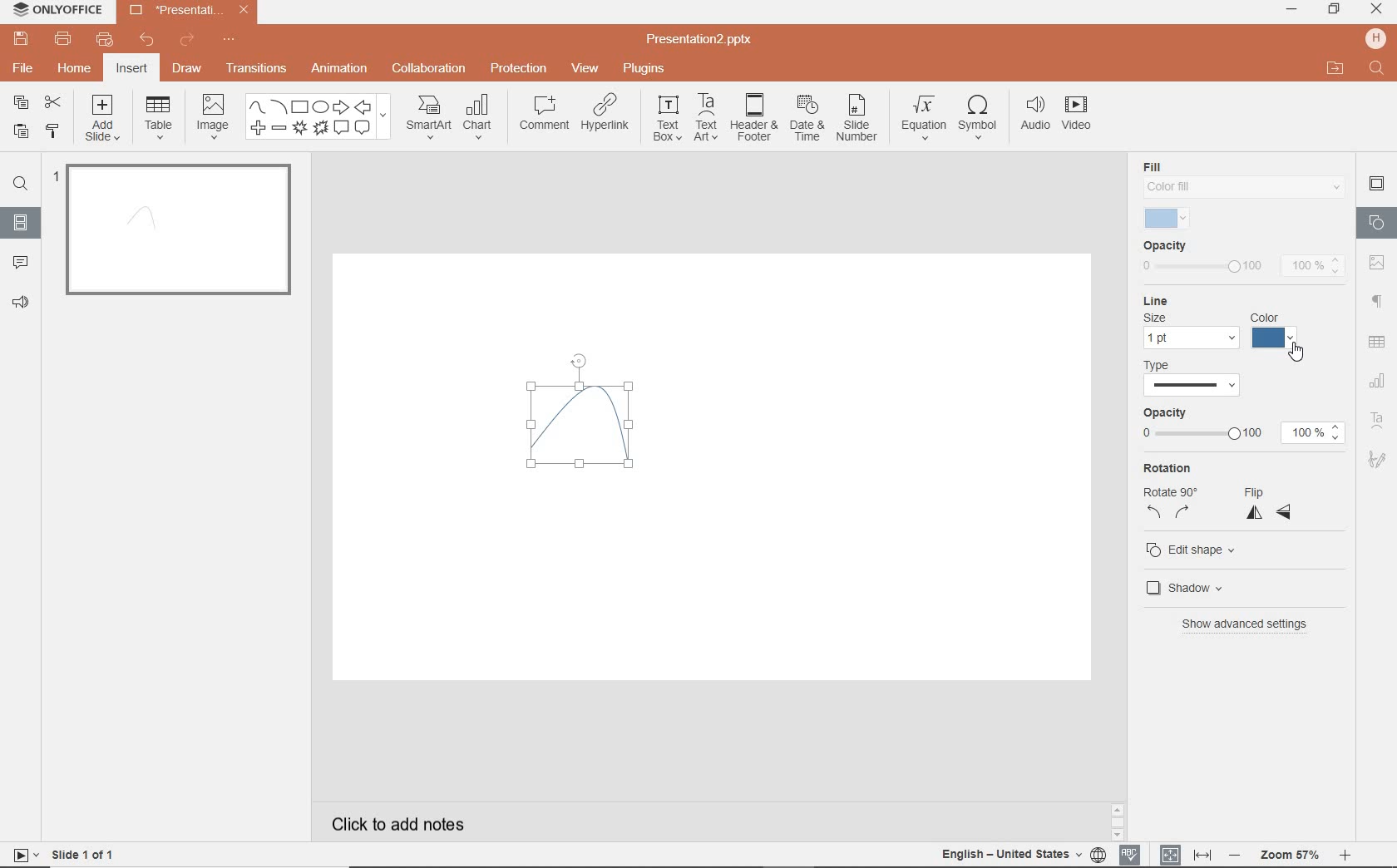 Image resolution: width=1397 pixels, height=868 pixels. Describe the element at coordinates (67, 854) in the screenshot. I see `SLIDE 1 OF 1` at that location.